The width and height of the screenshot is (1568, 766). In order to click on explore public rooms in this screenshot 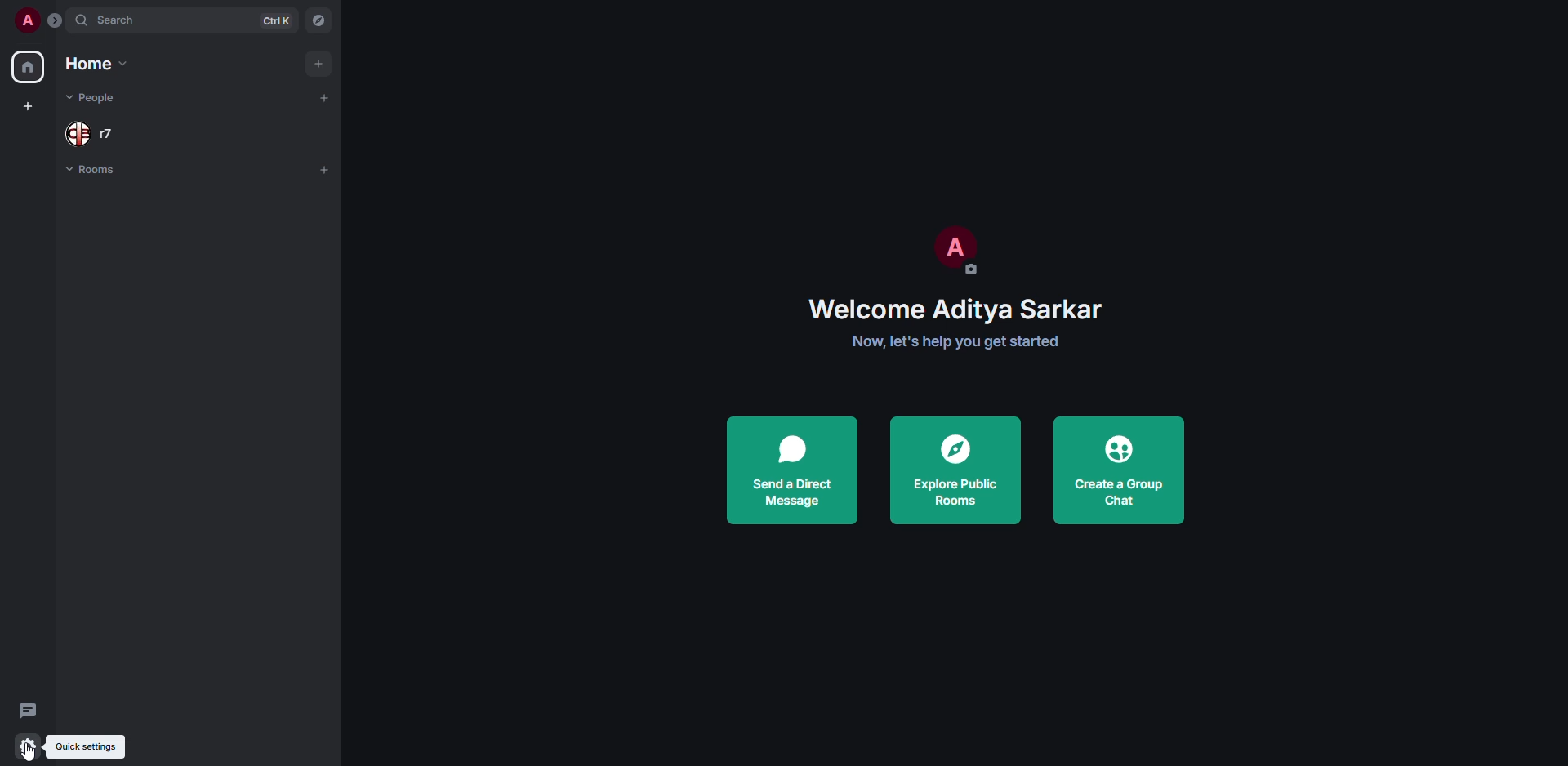, I will do `click(954, 468)`.